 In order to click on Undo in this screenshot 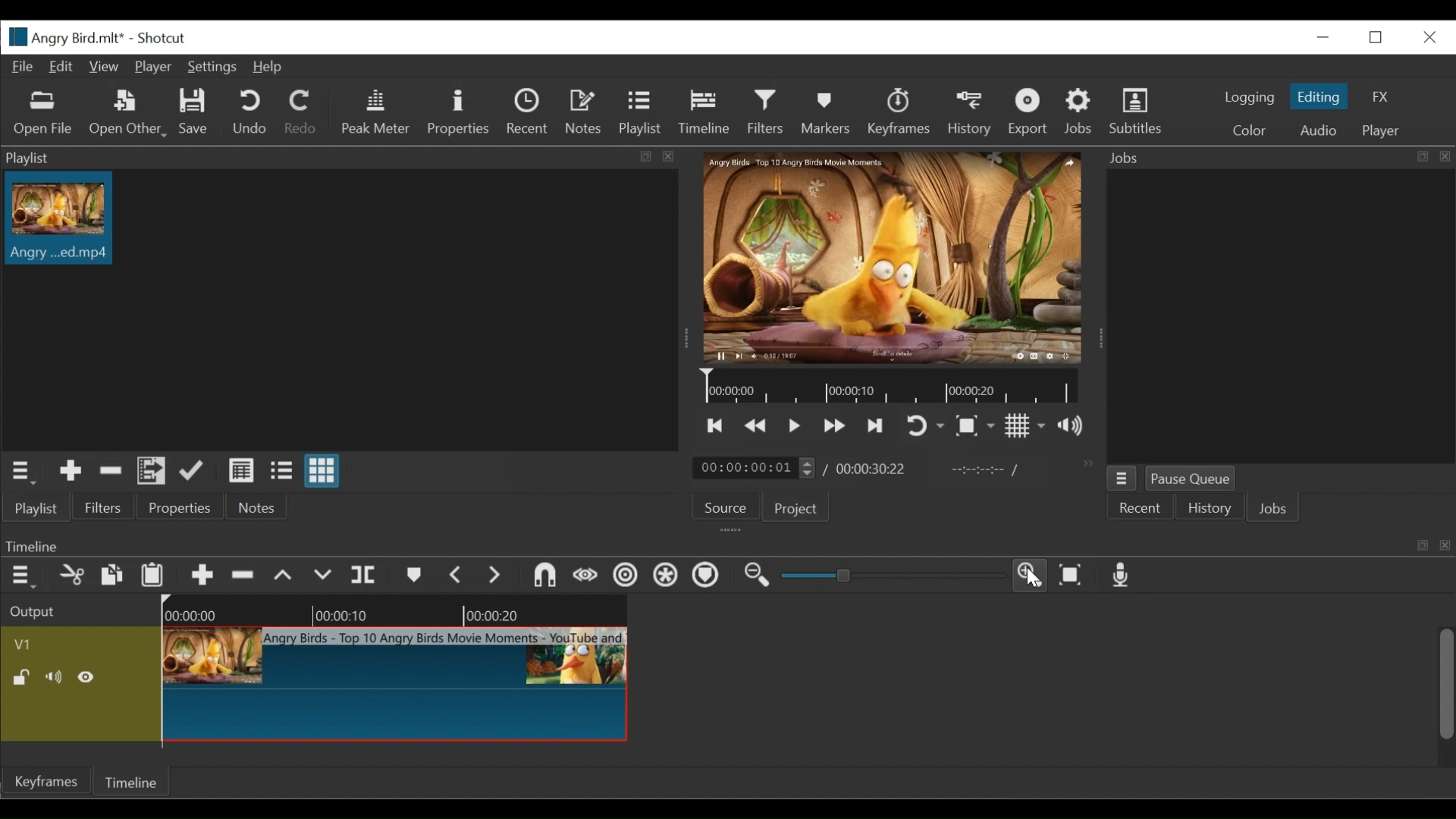, I will do `click(251, 113)`.